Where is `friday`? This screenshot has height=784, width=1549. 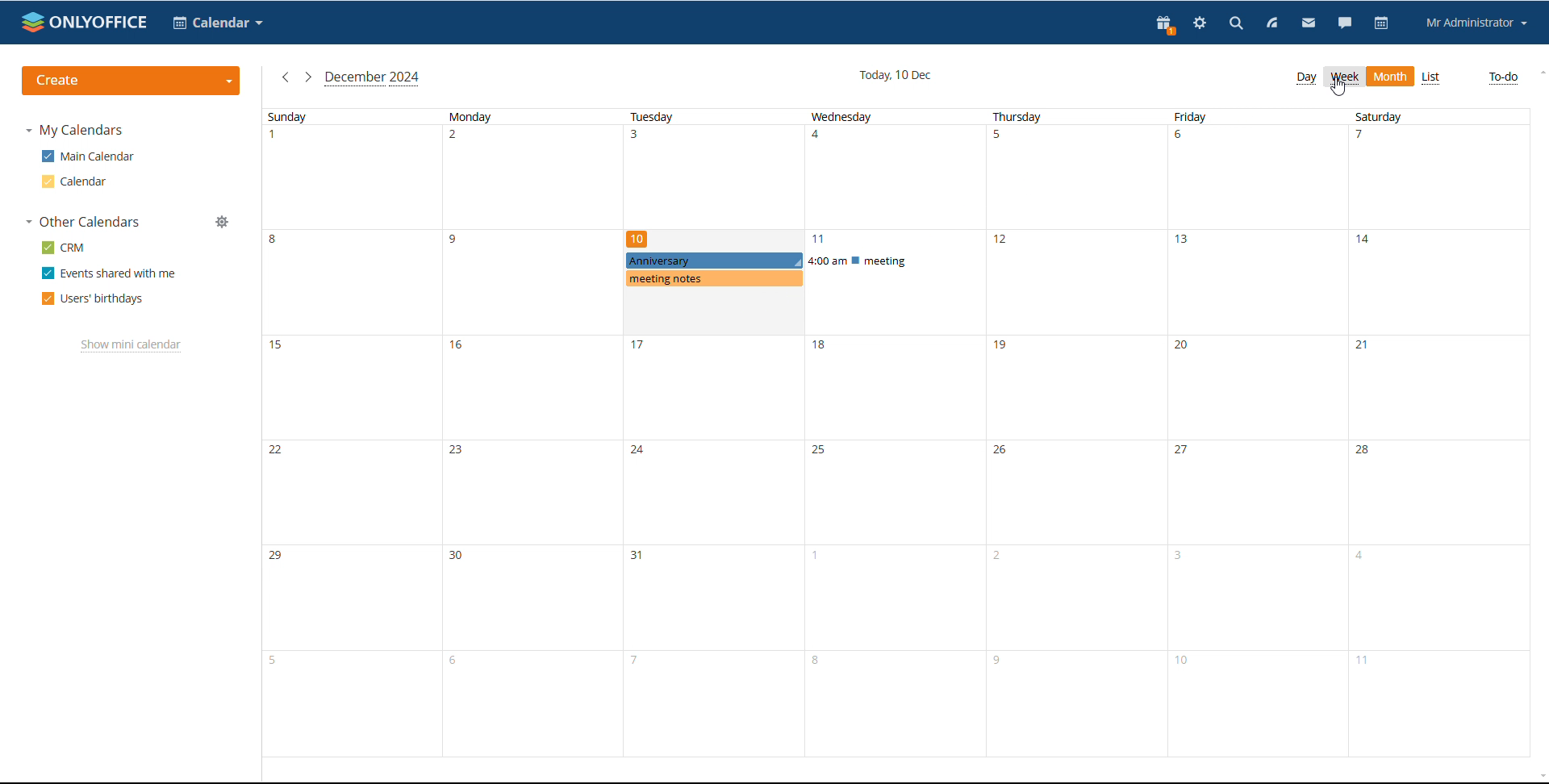
friday is located at coordinates (1260, 432).